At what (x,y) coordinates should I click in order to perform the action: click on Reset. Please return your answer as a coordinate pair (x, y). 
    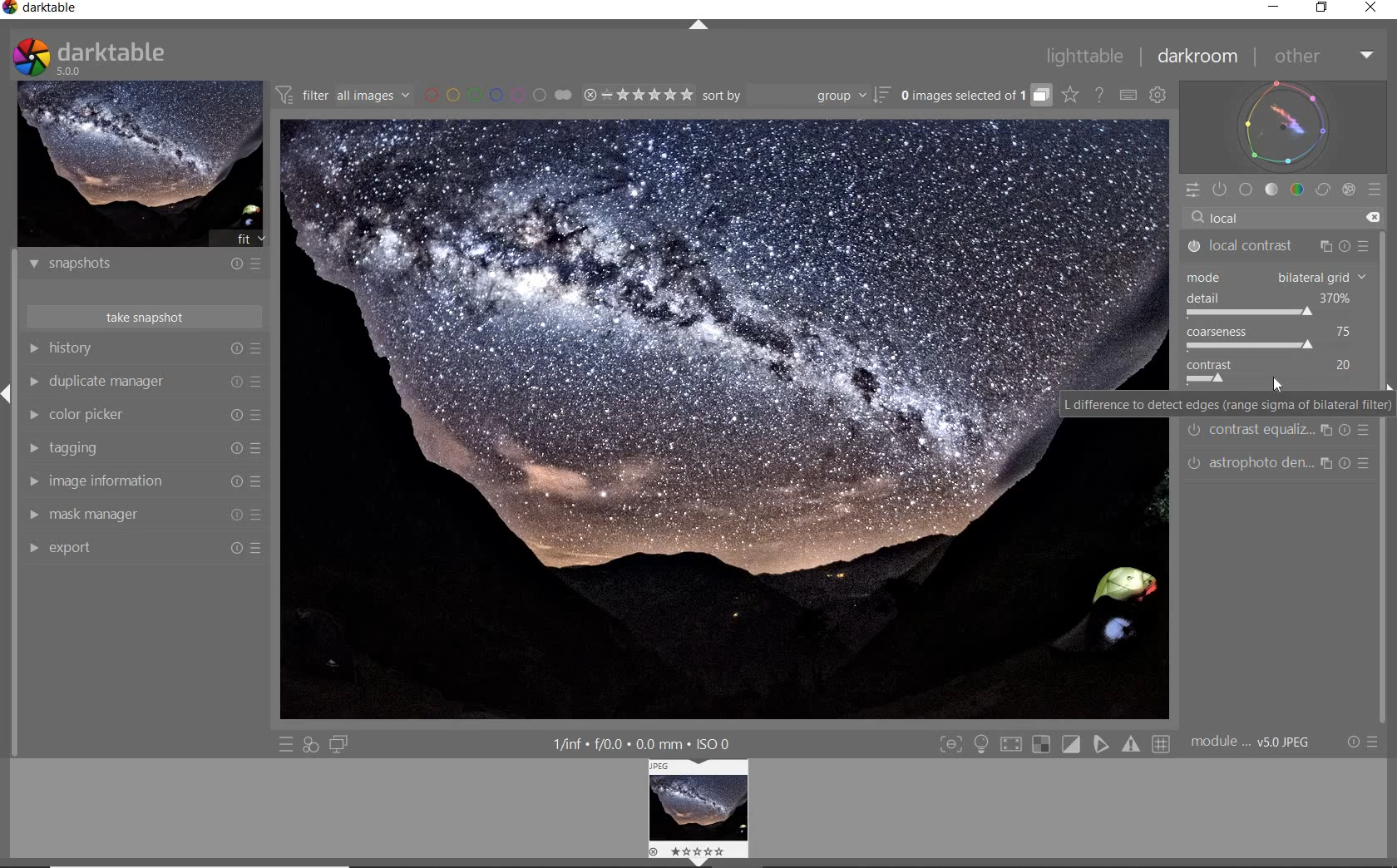
    Looking at the image, I should click on (234, 515).